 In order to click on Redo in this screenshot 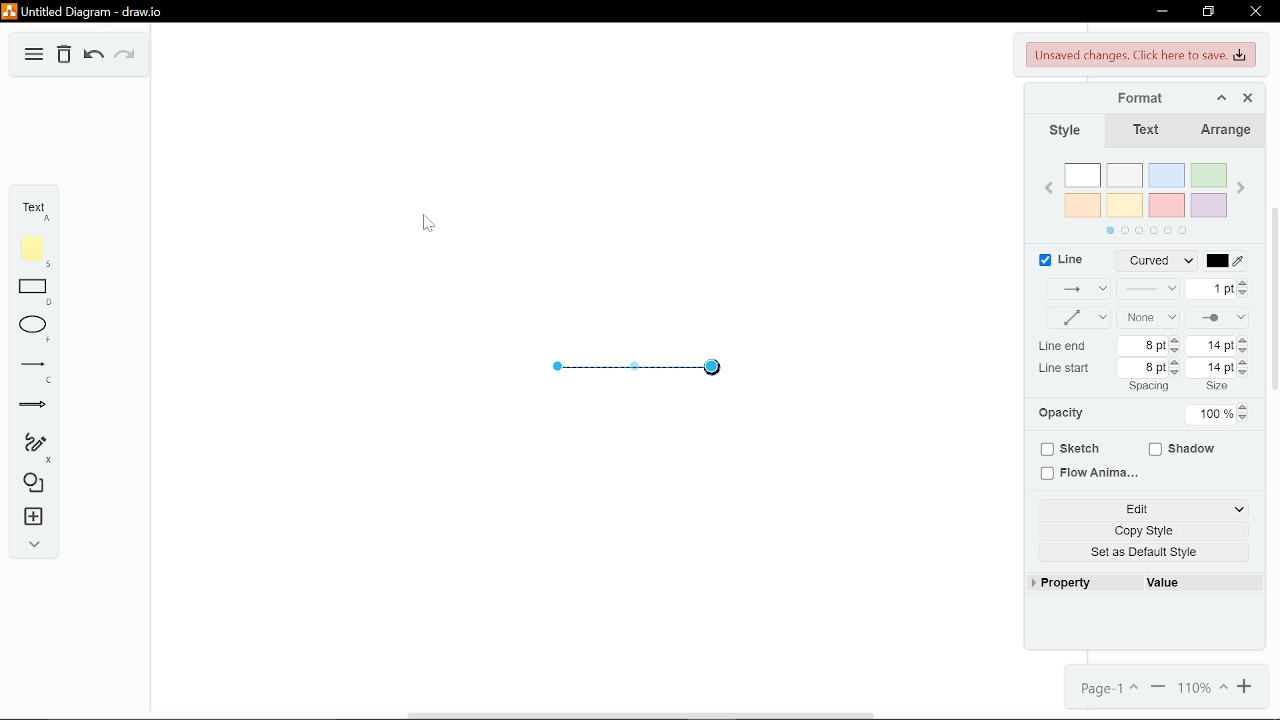, I will do `click(126, 56)`.